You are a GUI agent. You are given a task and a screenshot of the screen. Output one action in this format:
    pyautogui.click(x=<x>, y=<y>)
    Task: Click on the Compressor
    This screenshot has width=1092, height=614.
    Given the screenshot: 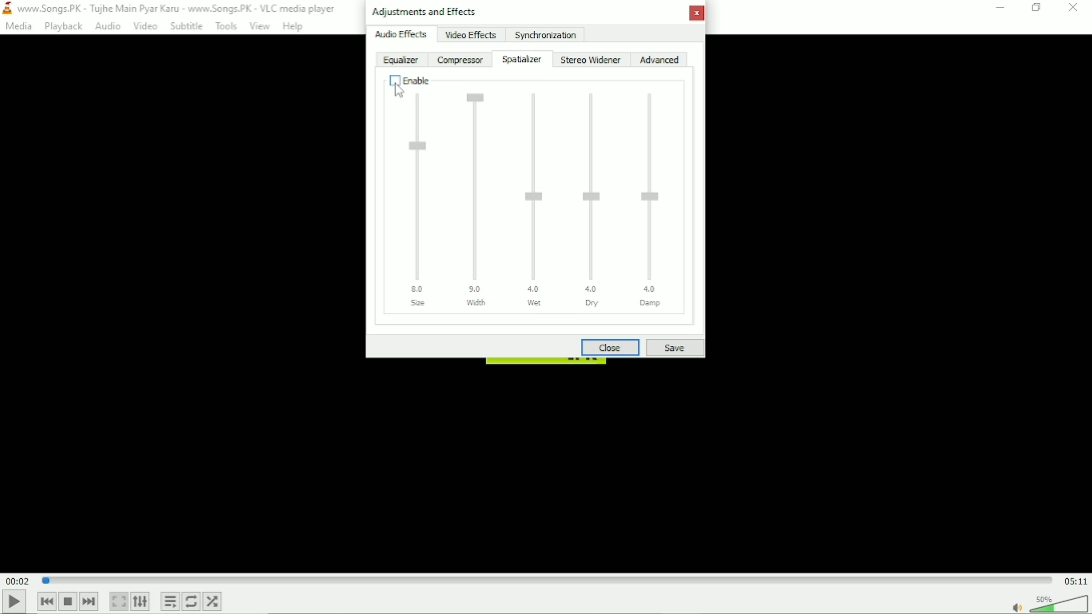 What is the action you would take?
    pyautogui.click(x=460, y=60)
    